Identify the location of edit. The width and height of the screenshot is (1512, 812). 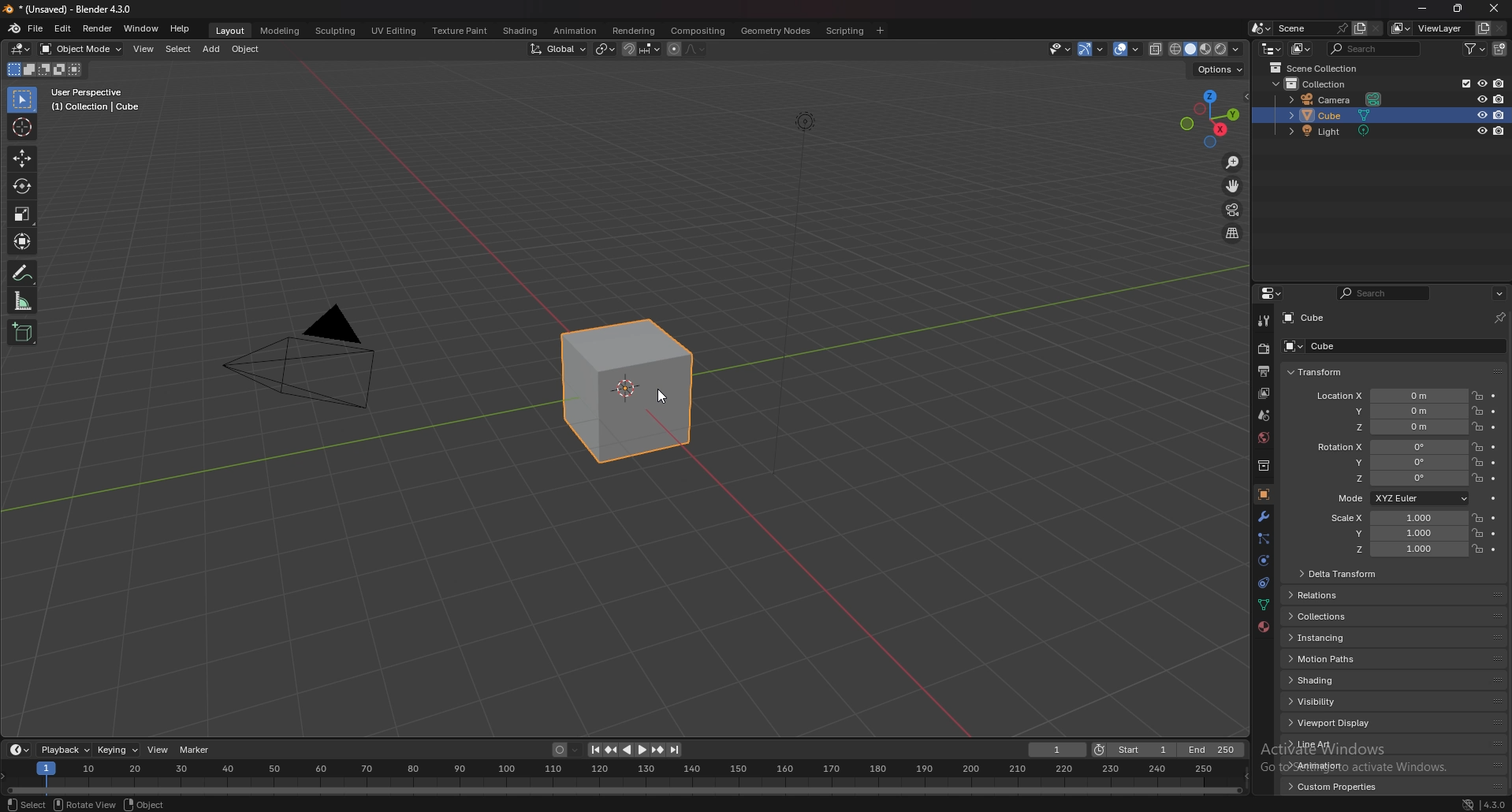
(63, 28).